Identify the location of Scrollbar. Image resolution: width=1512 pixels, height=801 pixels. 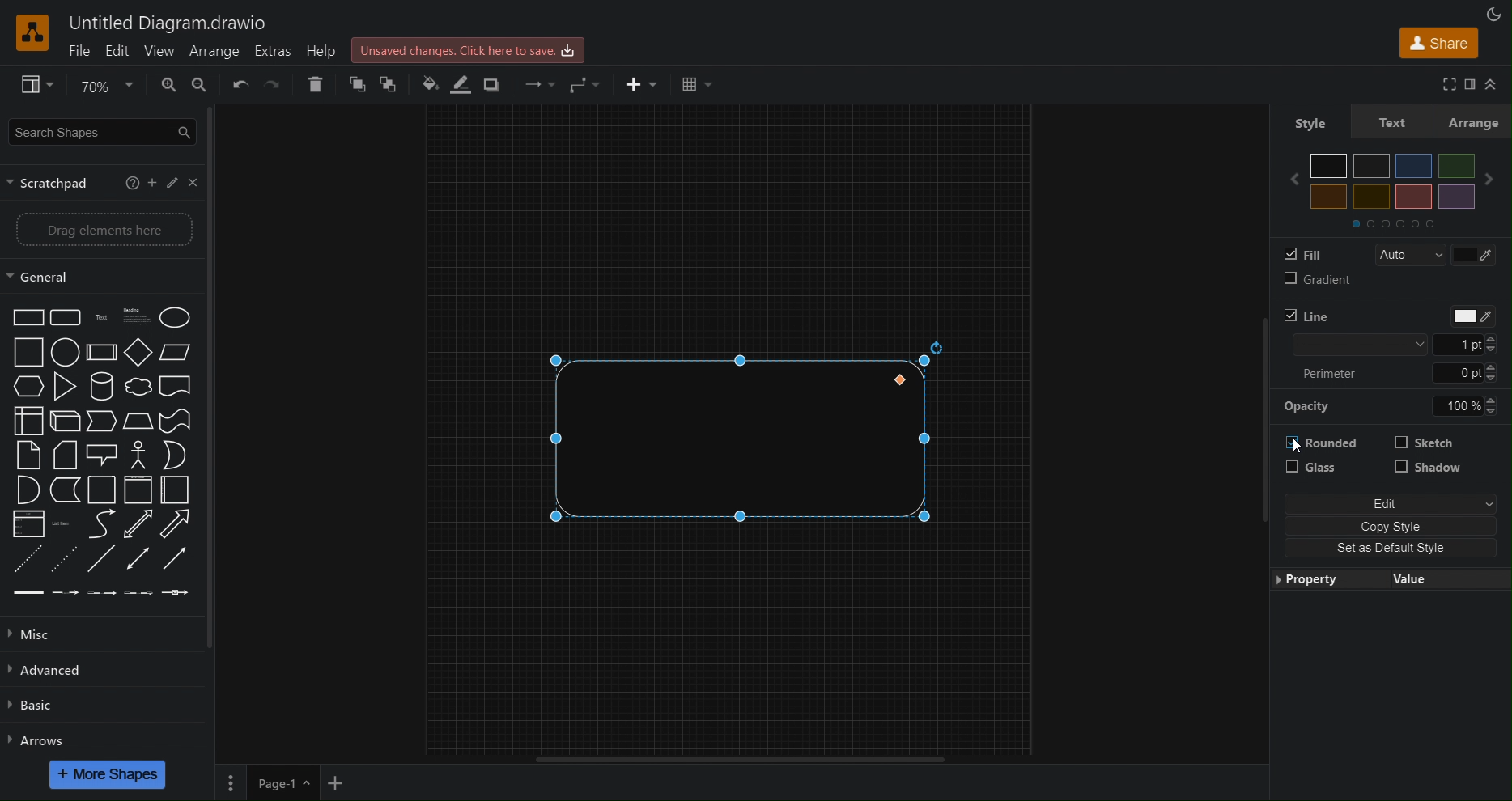
(218, 384).